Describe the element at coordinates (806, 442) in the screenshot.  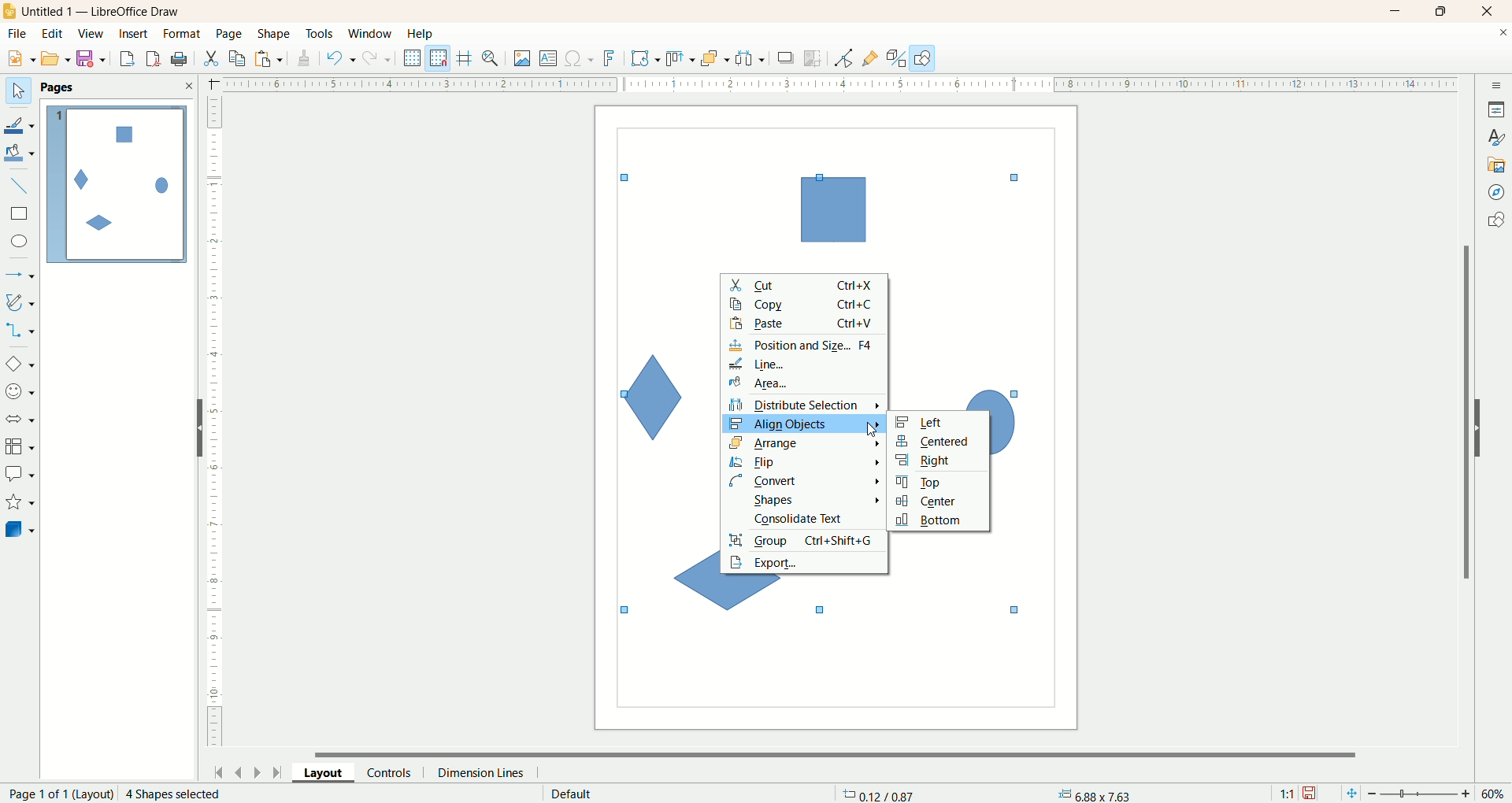
I see `arrange` at that location.